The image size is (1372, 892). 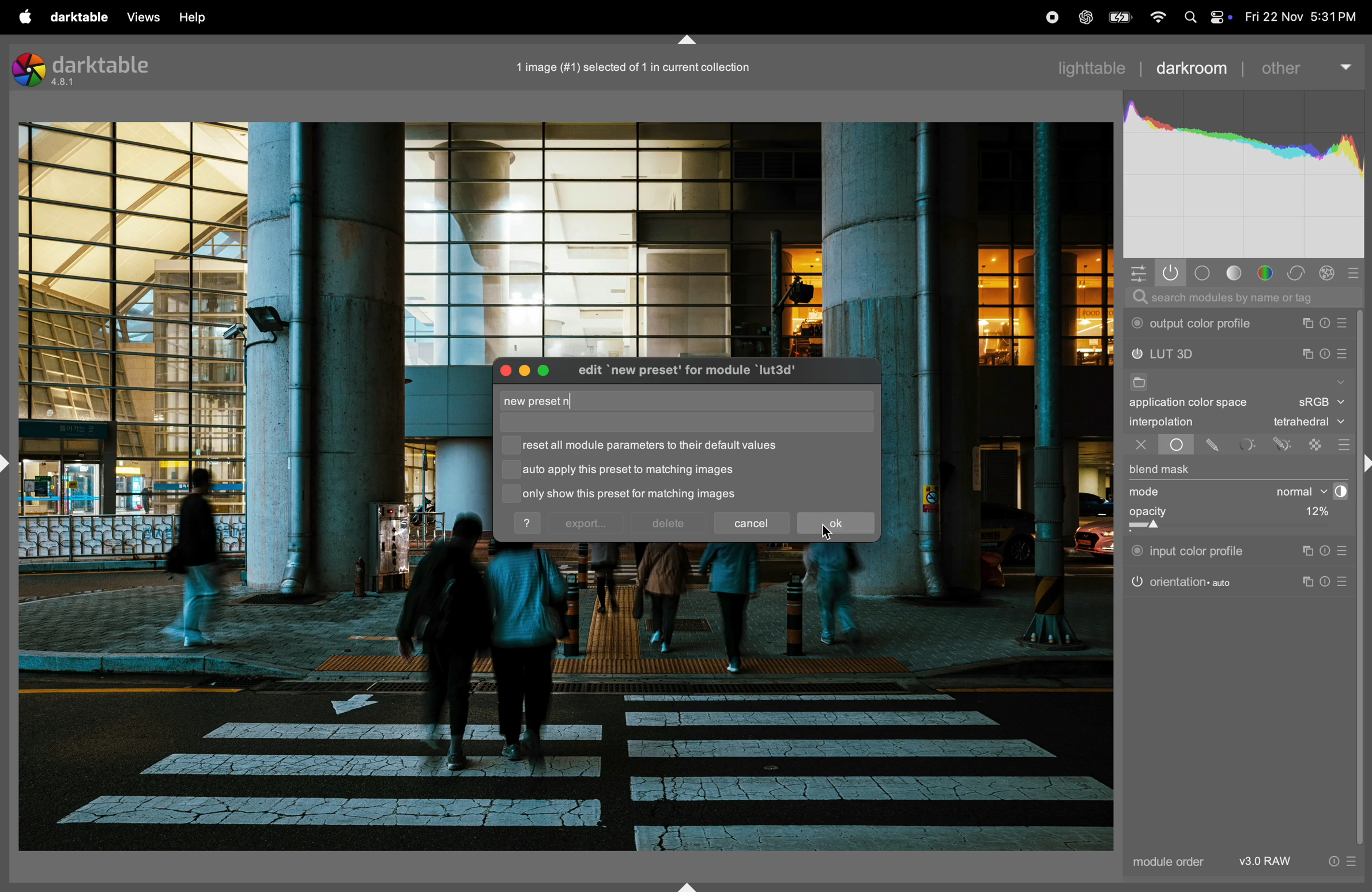 I want to click on normal, so click(x=1291, y=492).